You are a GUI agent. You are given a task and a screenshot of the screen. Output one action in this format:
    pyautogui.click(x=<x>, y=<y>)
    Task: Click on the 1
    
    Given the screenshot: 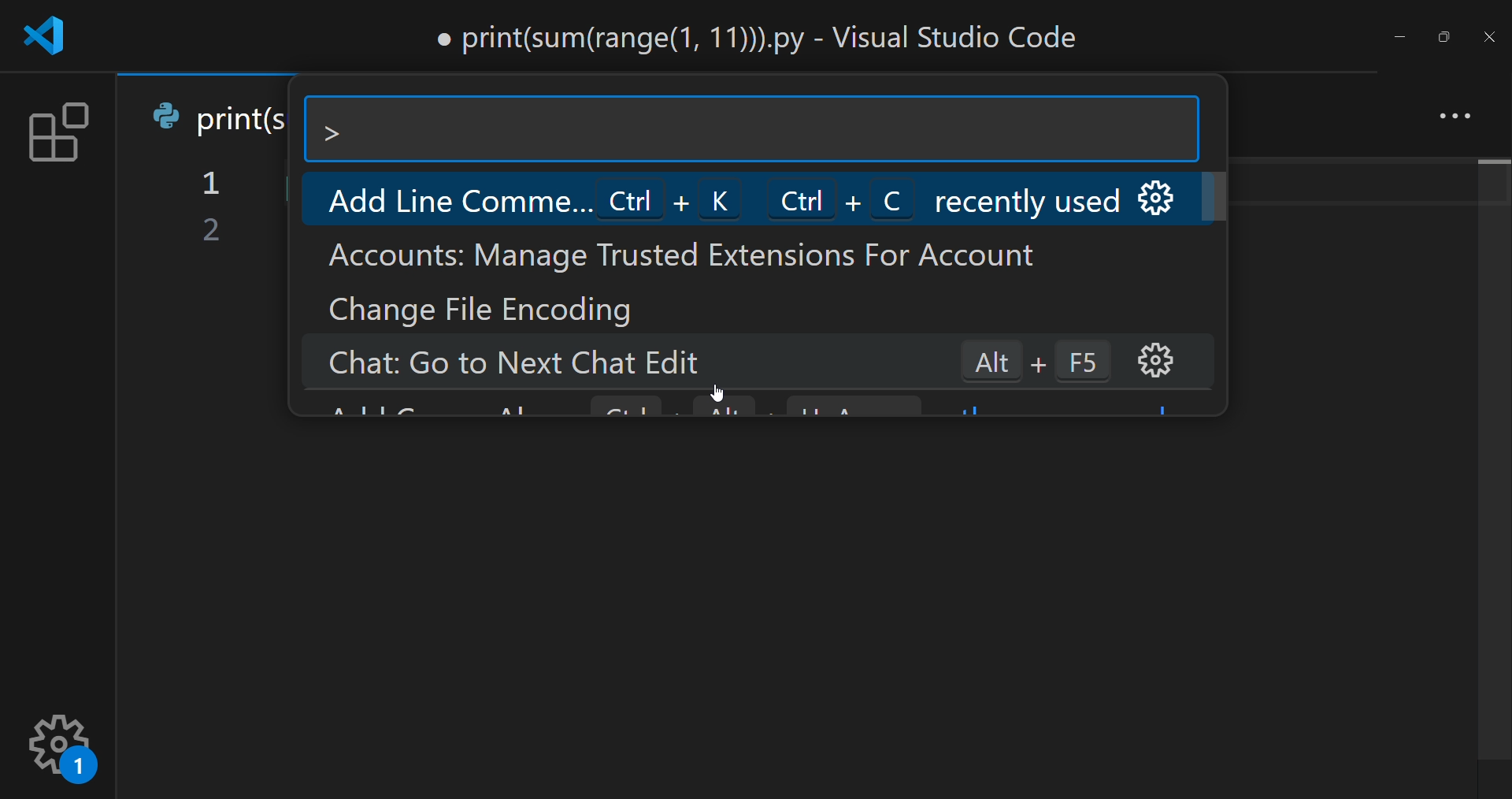 What is the action you would take?
    pyautogui.click(x=213, y=185)
    